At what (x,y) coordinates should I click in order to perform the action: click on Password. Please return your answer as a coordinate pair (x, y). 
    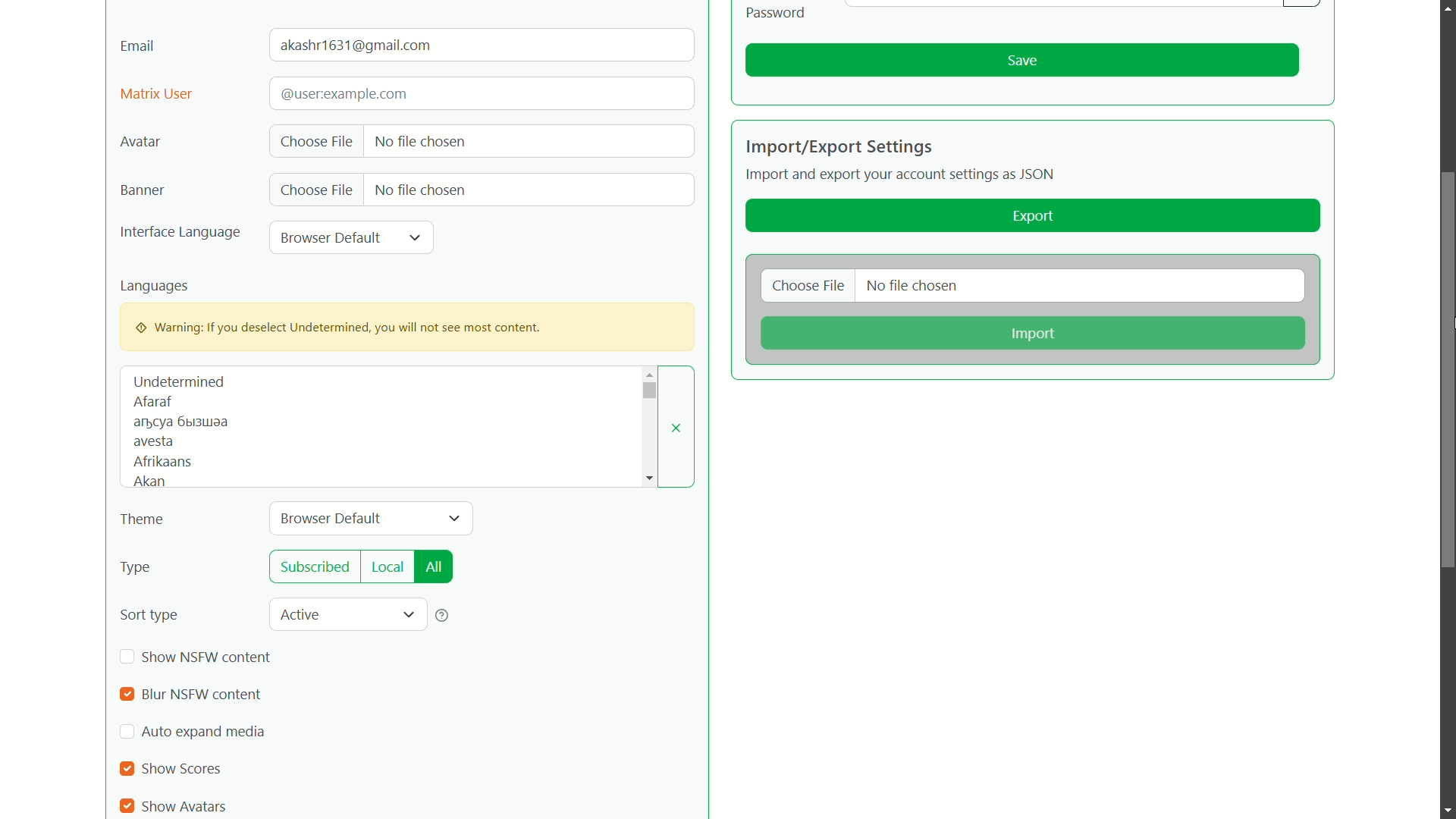
    Looking at the image, I should click on (777, 12).